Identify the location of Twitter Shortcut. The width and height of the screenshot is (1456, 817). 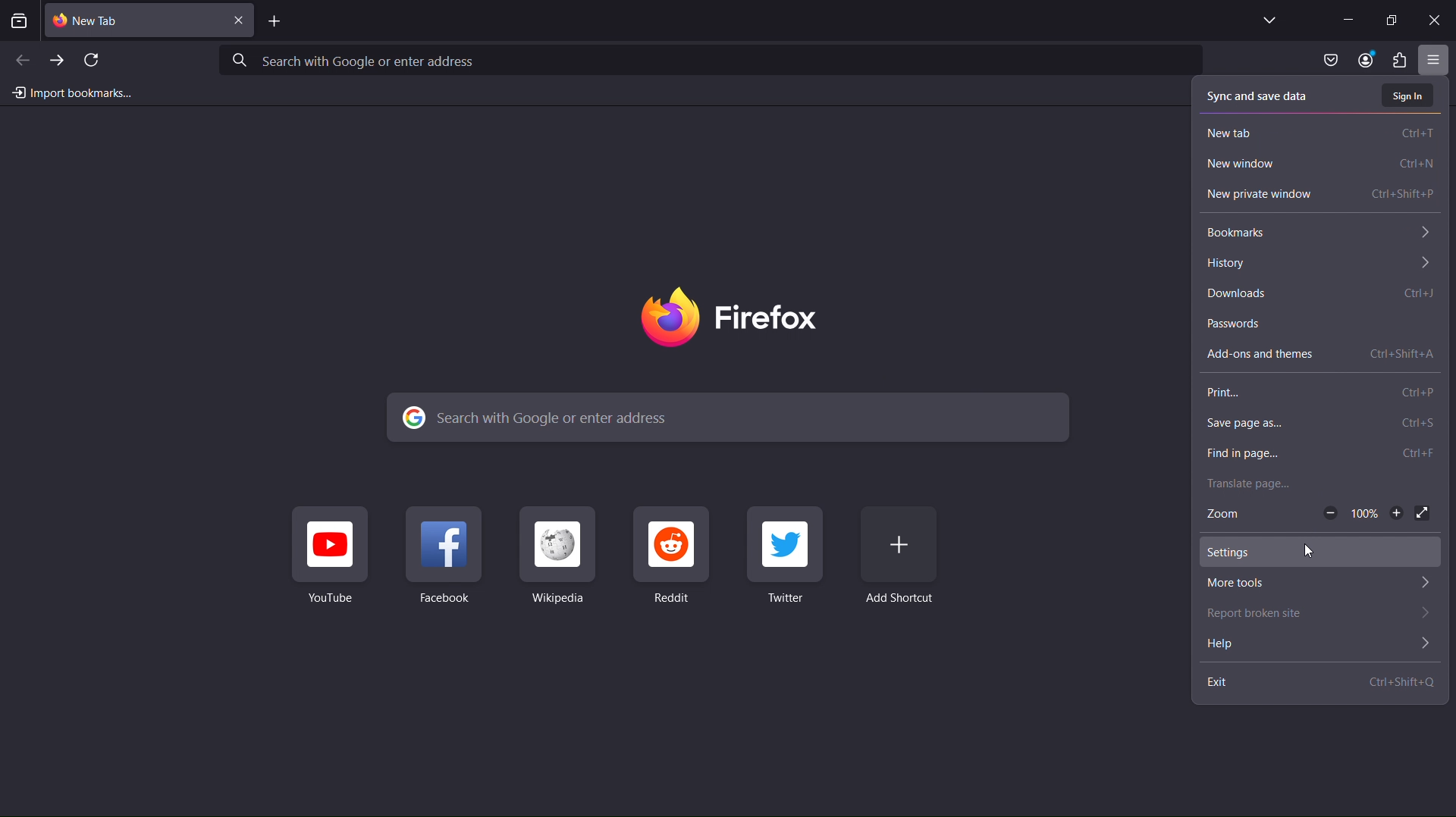
(789, 554).